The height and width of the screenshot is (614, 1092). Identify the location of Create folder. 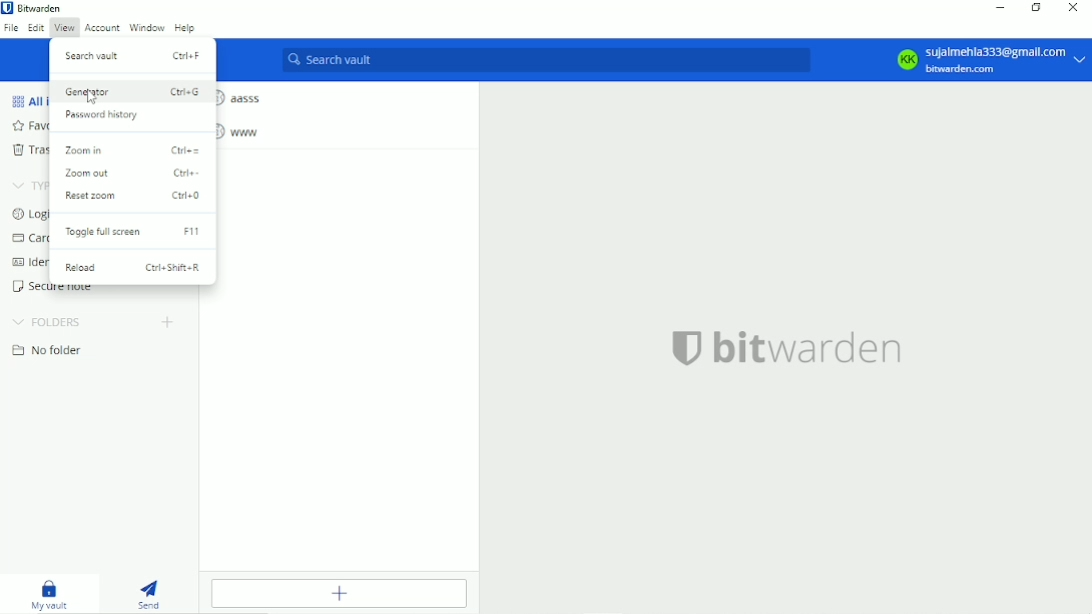
(171, 321).